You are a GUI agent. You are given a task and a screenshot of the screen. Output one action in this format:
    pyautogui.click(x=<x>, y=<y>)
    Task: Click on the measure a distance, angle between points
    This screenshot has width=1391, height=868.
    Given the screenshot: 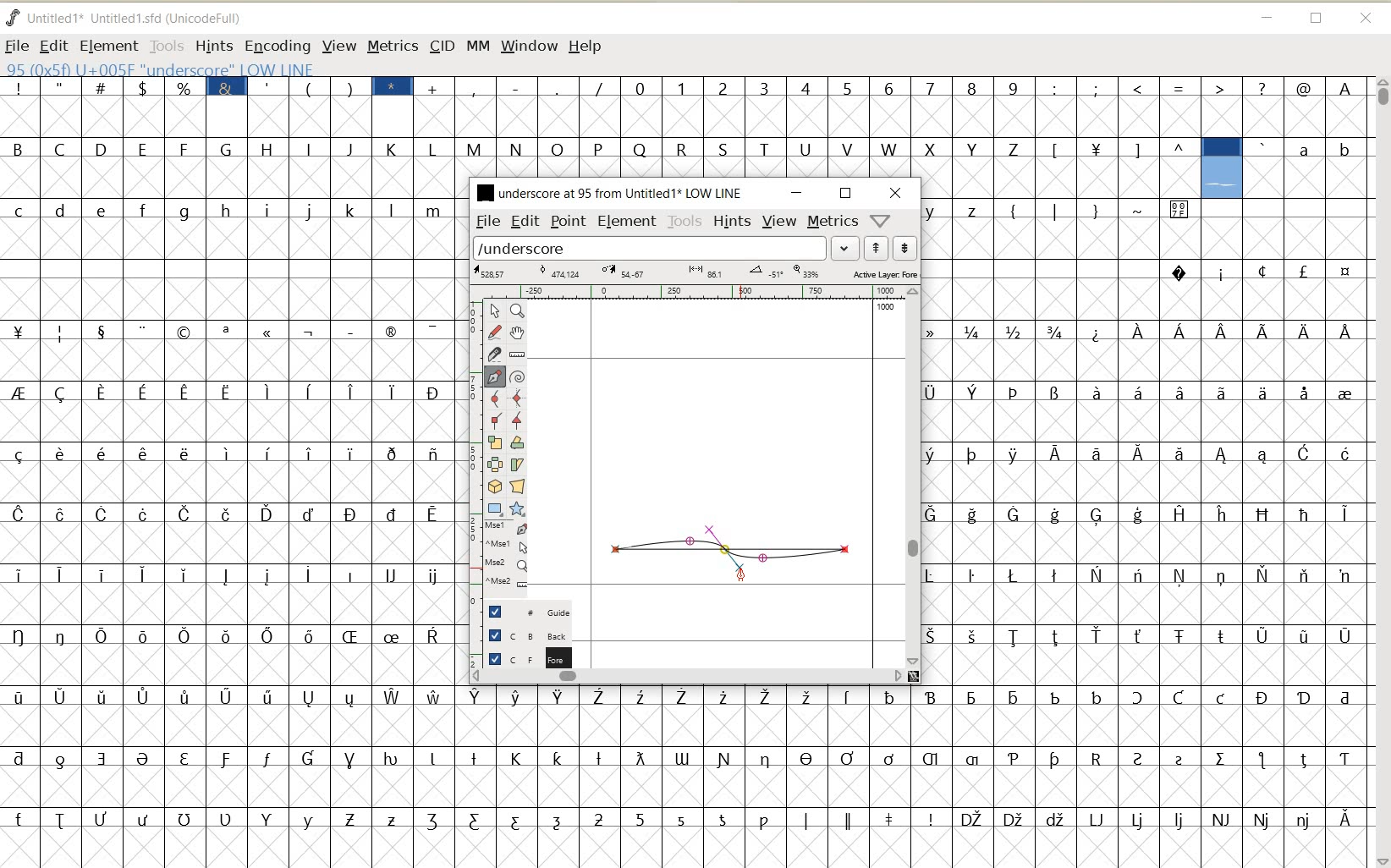 What is the action you would take?
    pyautogui.click(x=518, y=354)
    